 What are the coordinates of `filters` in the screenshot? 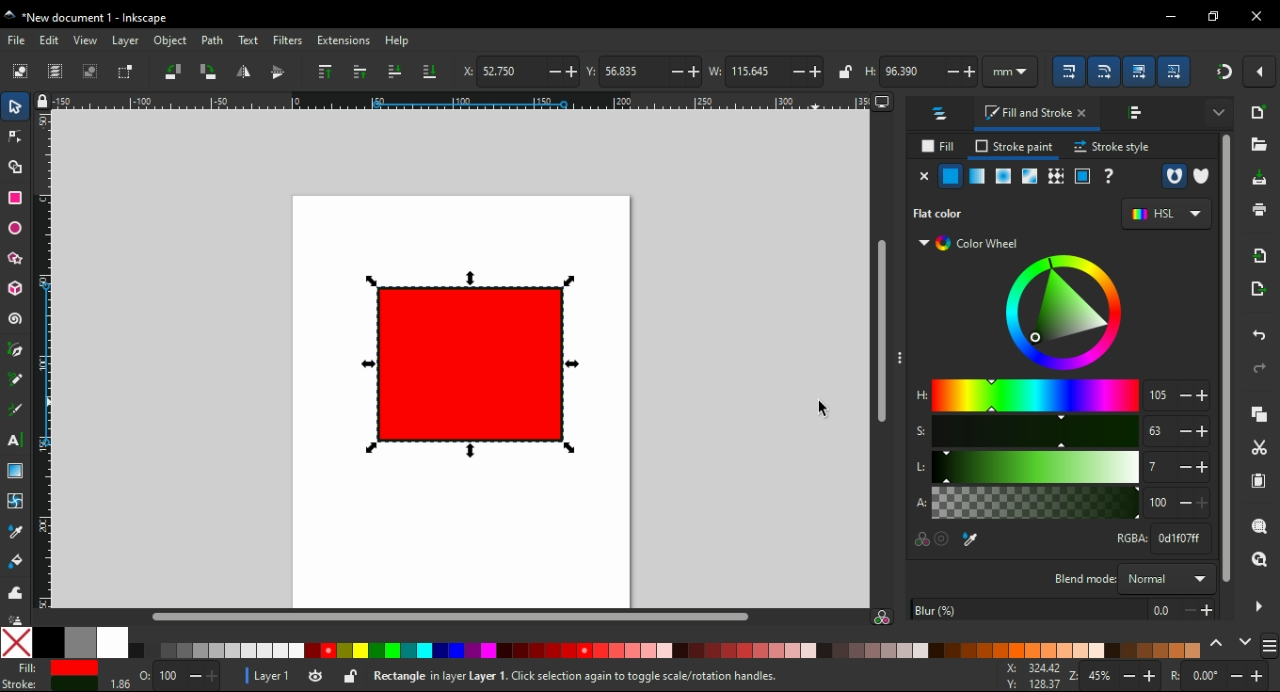 It's located at (288, 41).